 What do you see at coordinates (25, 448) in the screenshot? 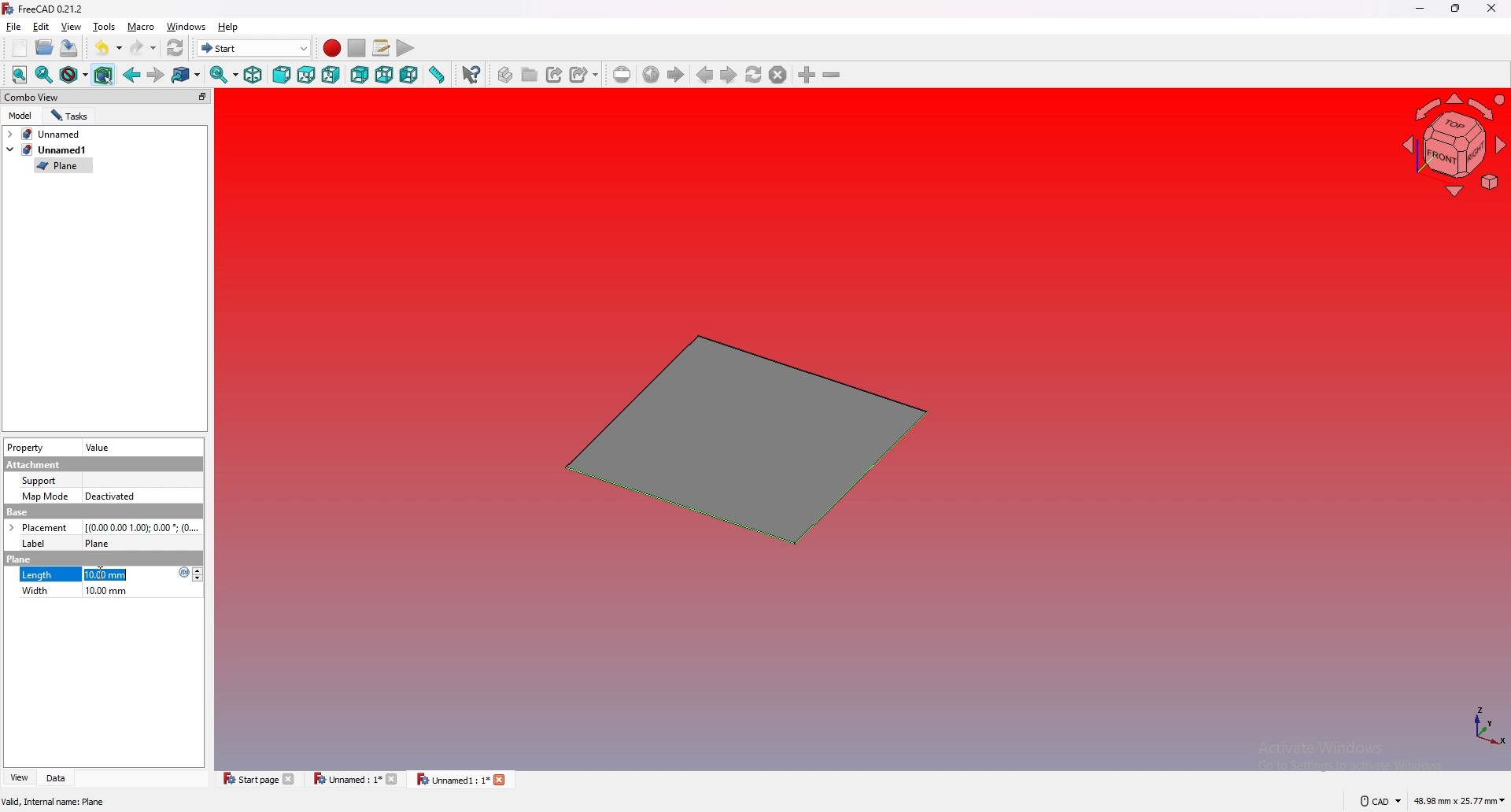
I see `property` at bounding box center [25, 448].